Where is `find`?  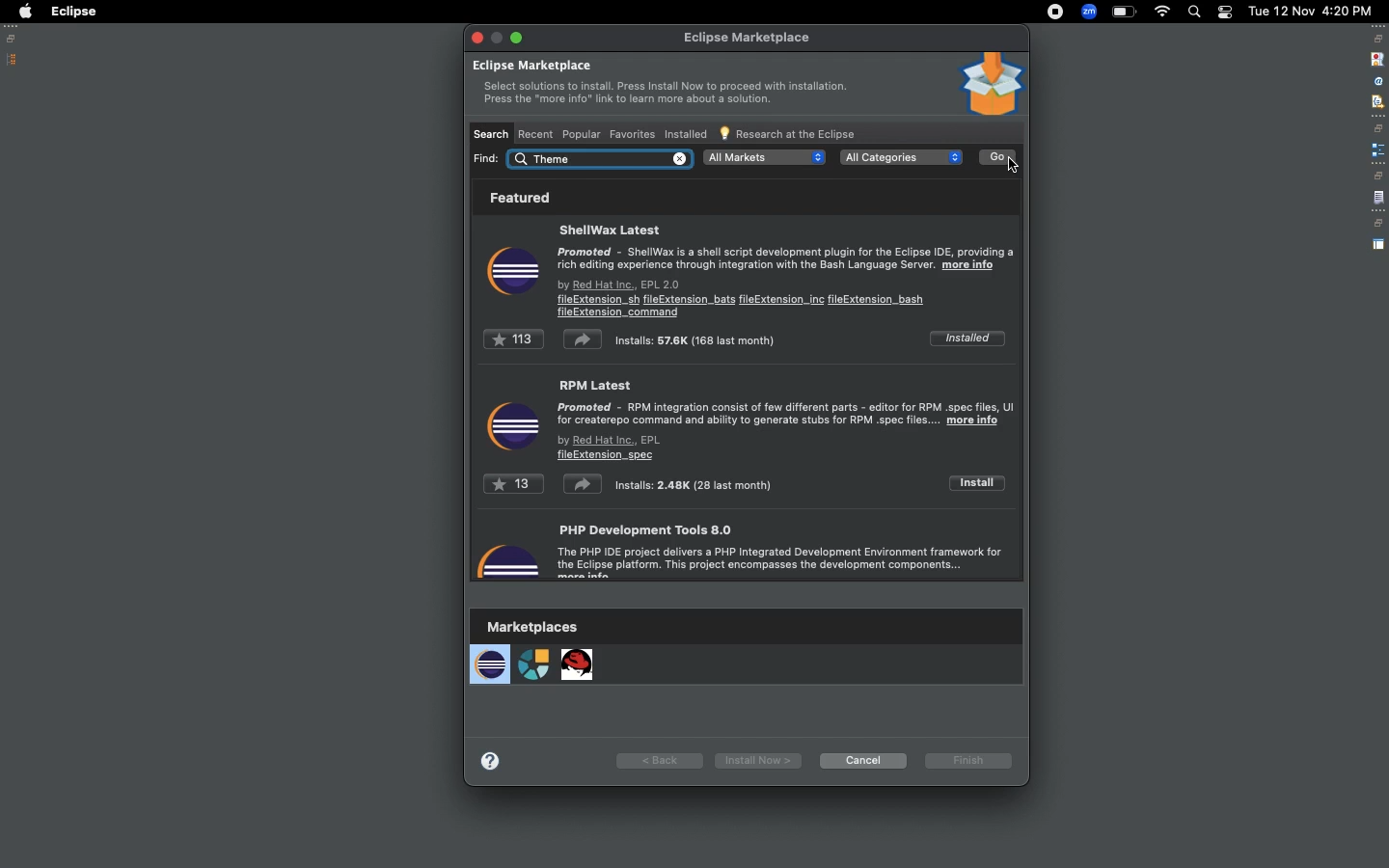
find is located at coordinates (487, 158).